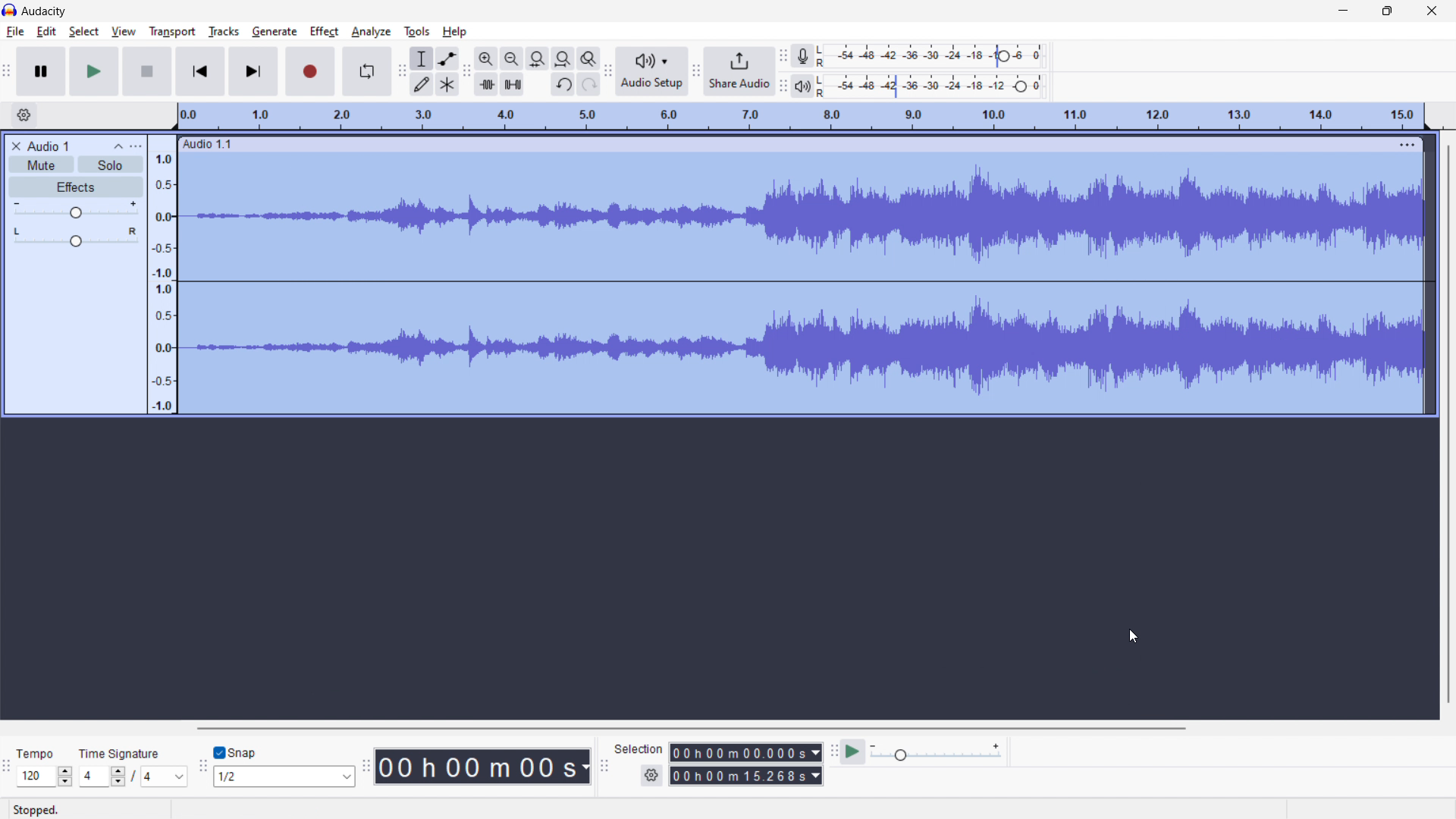 Image resolution: width=1456 pixels, height=819 pixels. Describe the element at coordinates (202, 765) in the screenshot. I see `snapping toolbar` at that location.